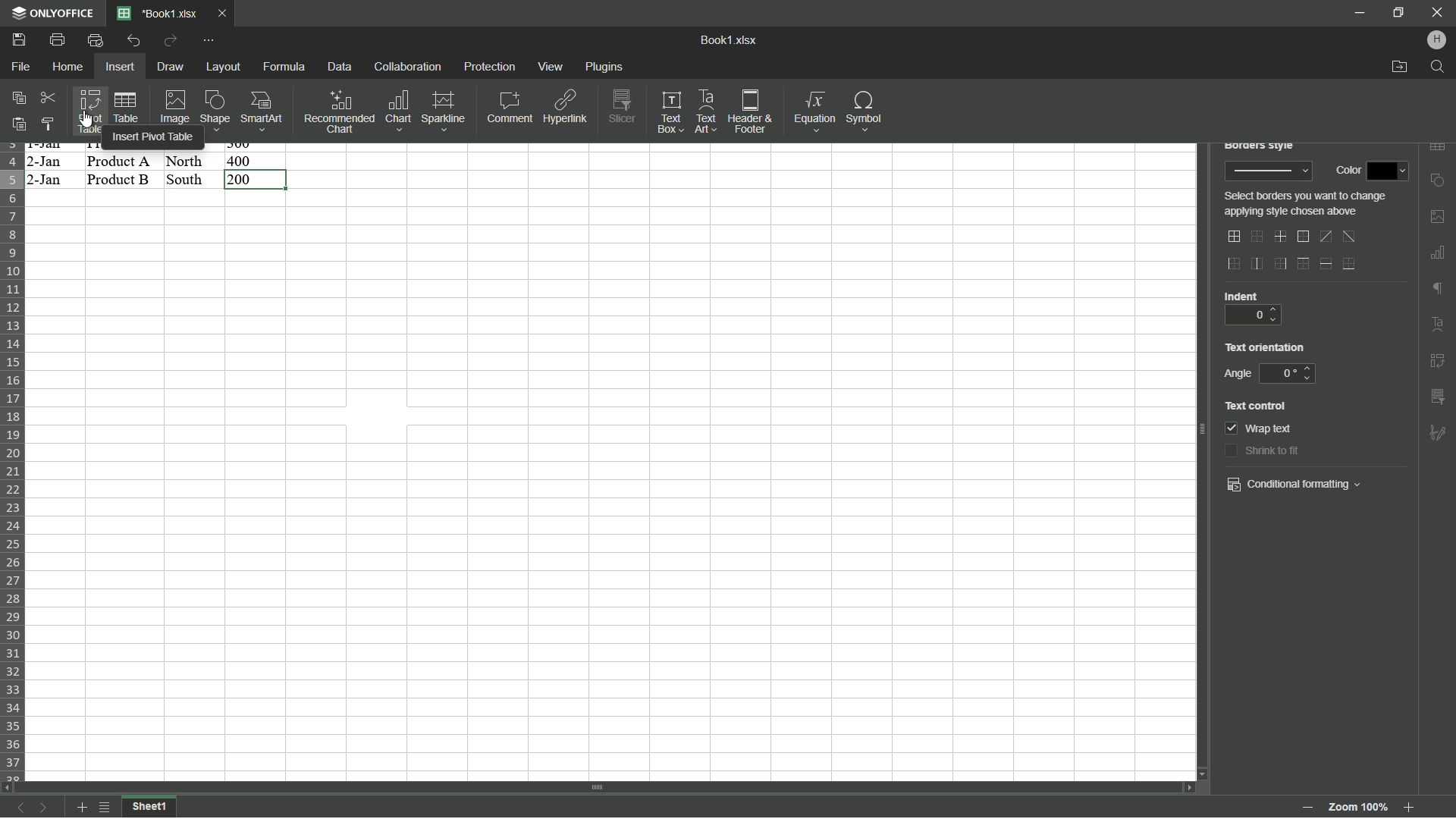  What do you see at coordinates (488, 67) in the screenshot?
I see `protection` at bounding box center [488, 67].